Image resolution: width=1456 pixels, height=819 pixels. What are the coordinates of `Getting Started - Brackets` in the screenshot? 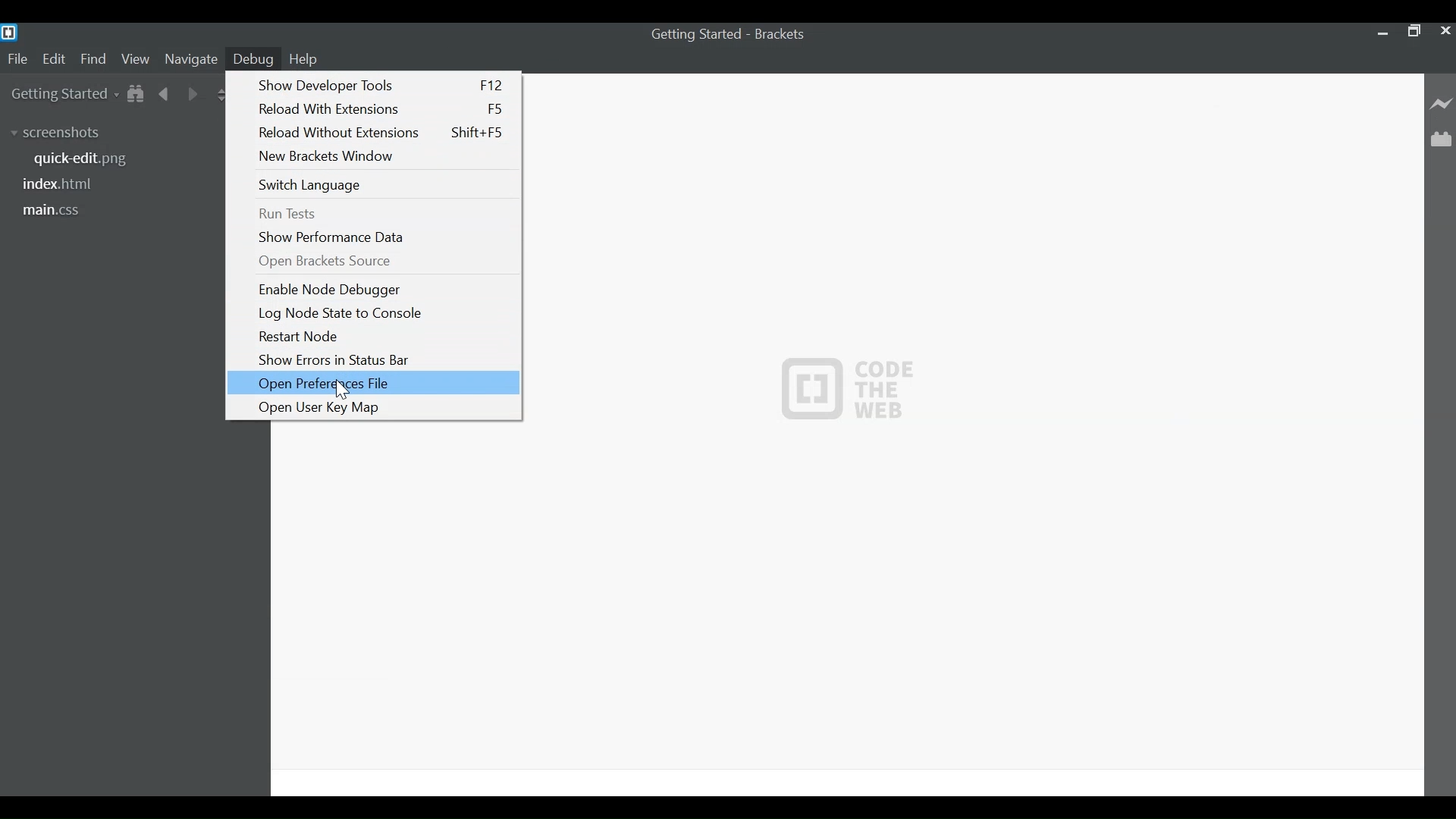 It's located at (732, 33).